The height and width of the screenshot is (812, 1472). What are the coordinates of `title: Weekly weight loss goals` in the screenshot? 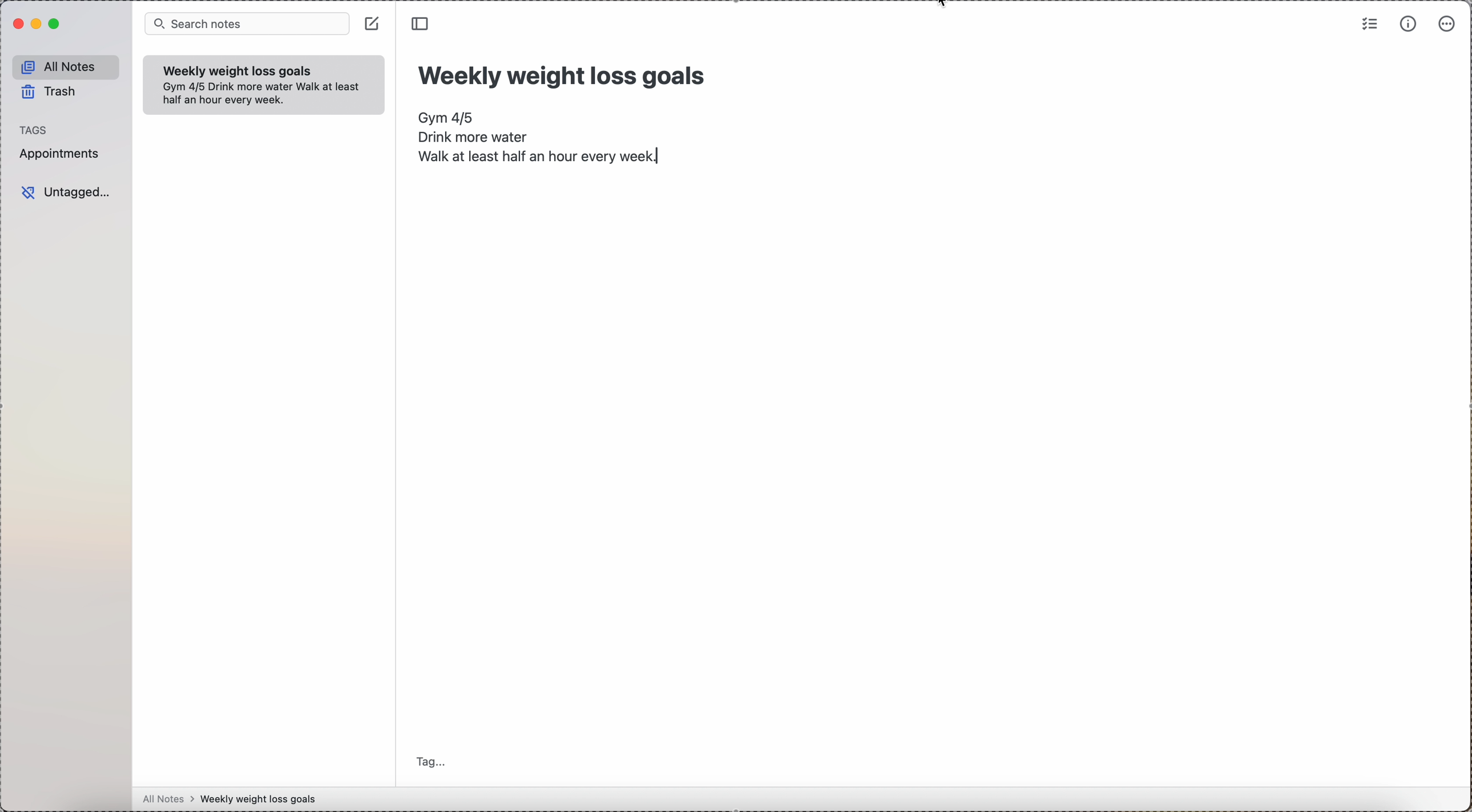 It's located at (565, 73).